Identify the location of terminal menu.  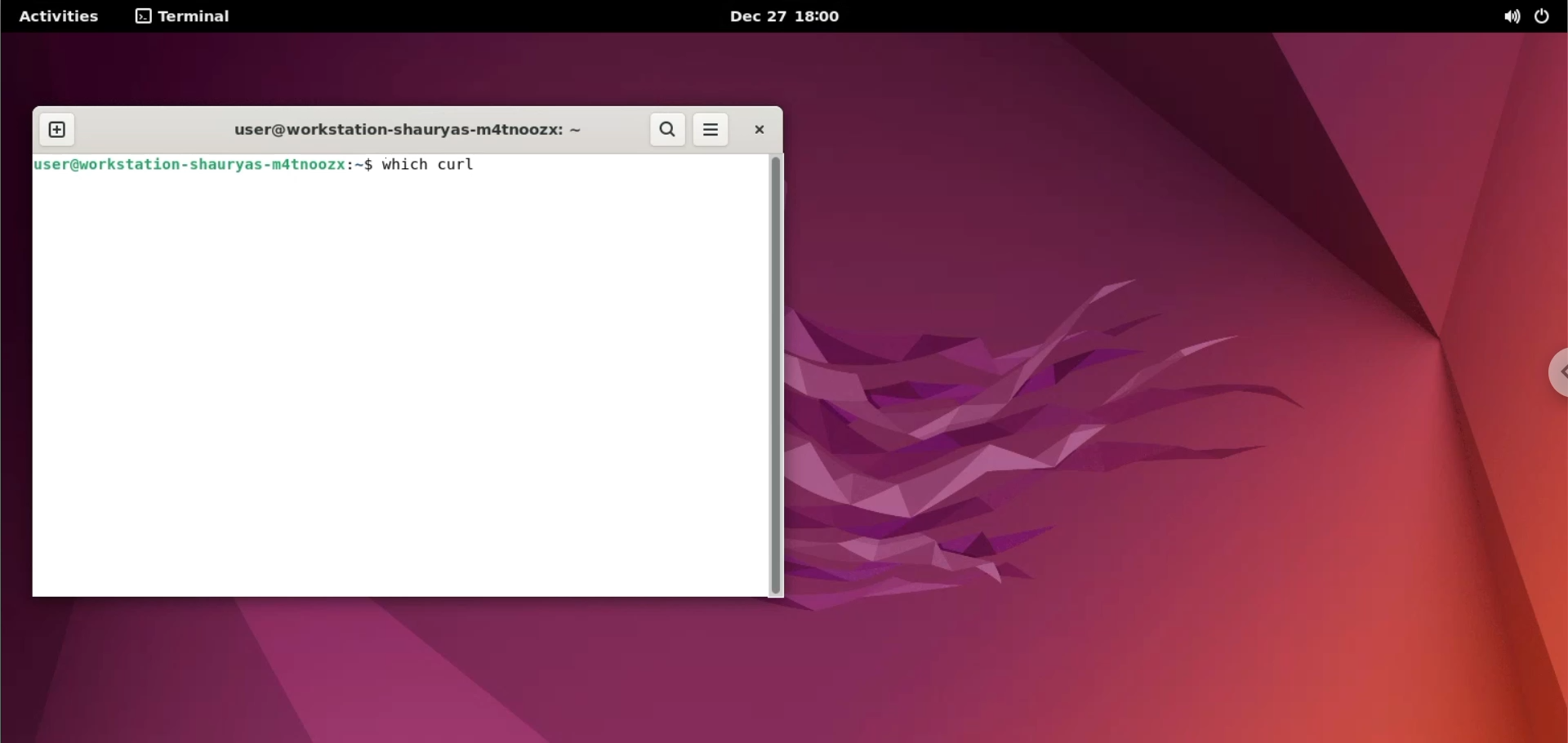
(189, 17).